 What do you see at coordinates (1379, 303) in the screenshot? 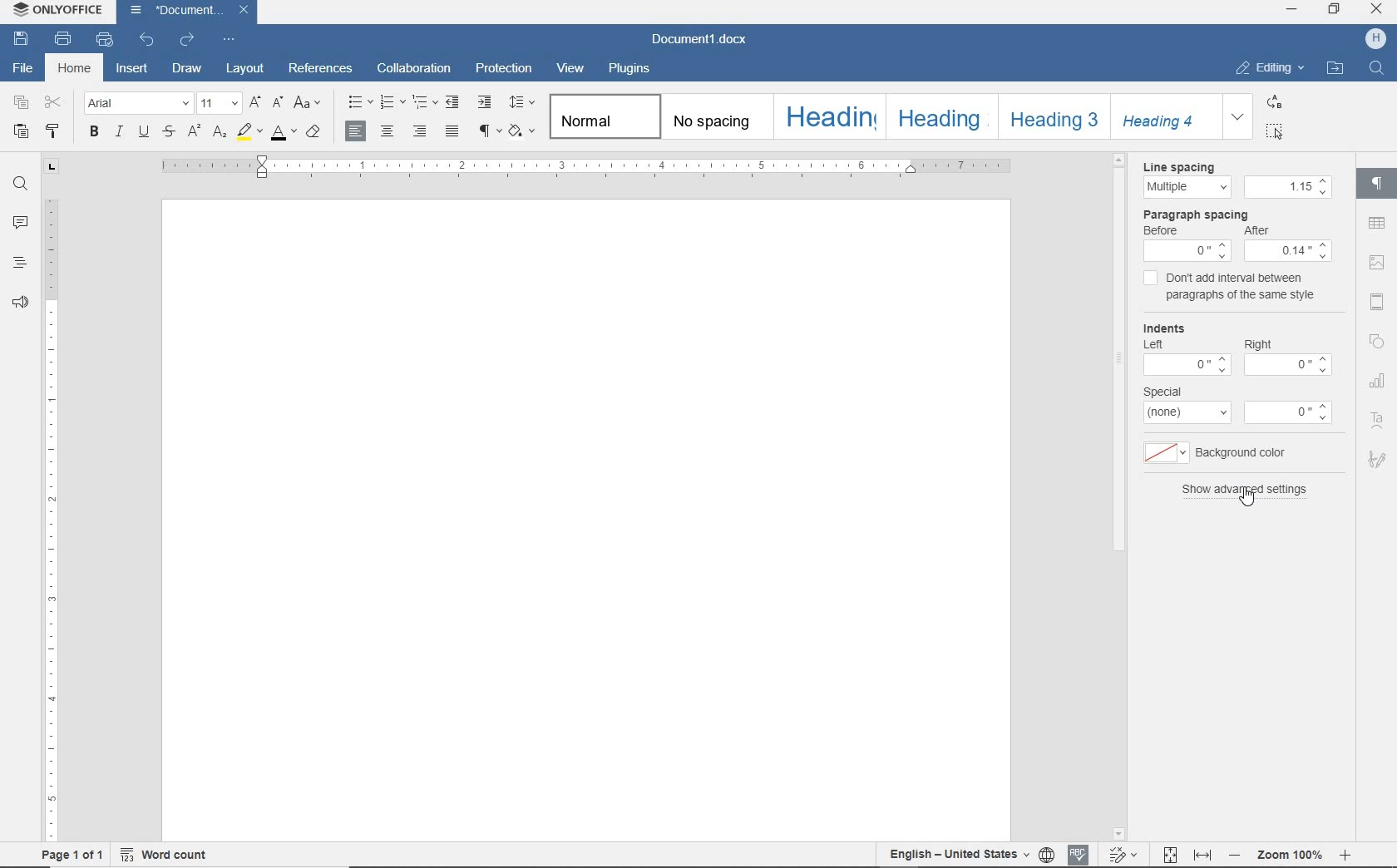
I see `header and footer` at bounding box center [1379, 303].